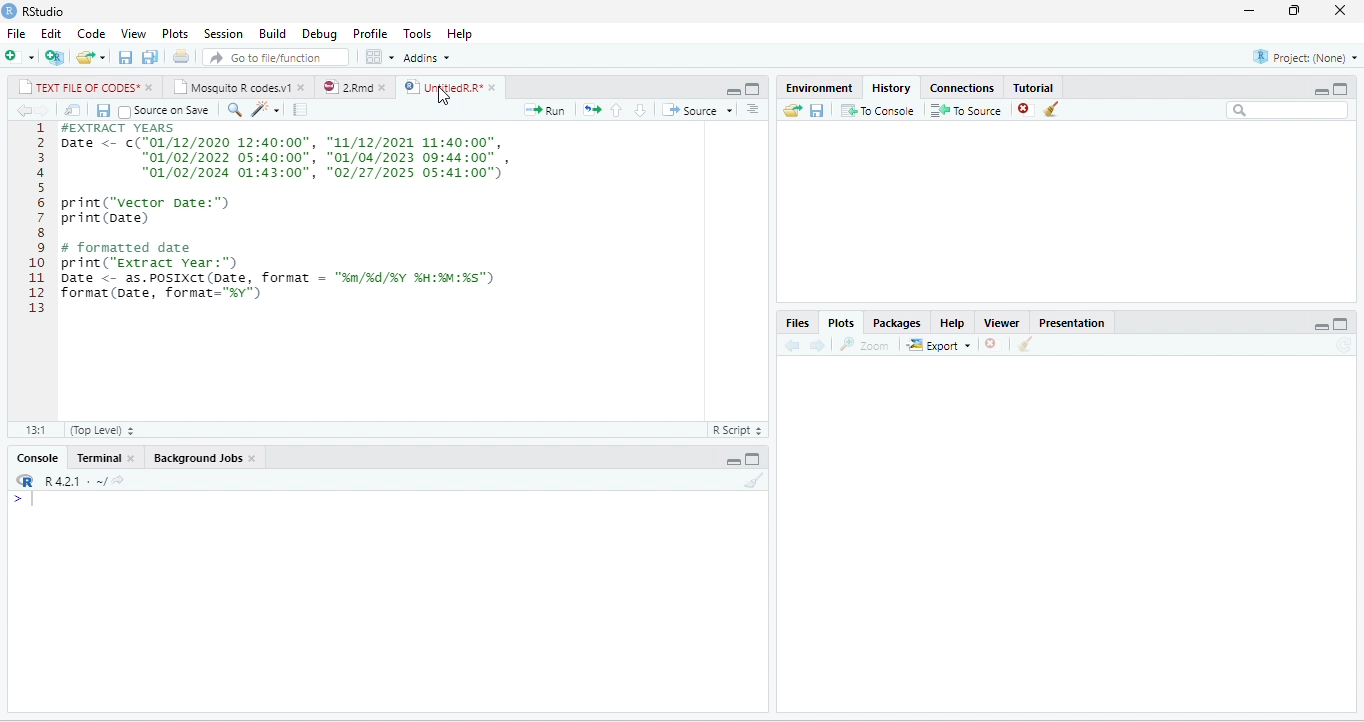  I want to click on cursor, so click(443, 96).